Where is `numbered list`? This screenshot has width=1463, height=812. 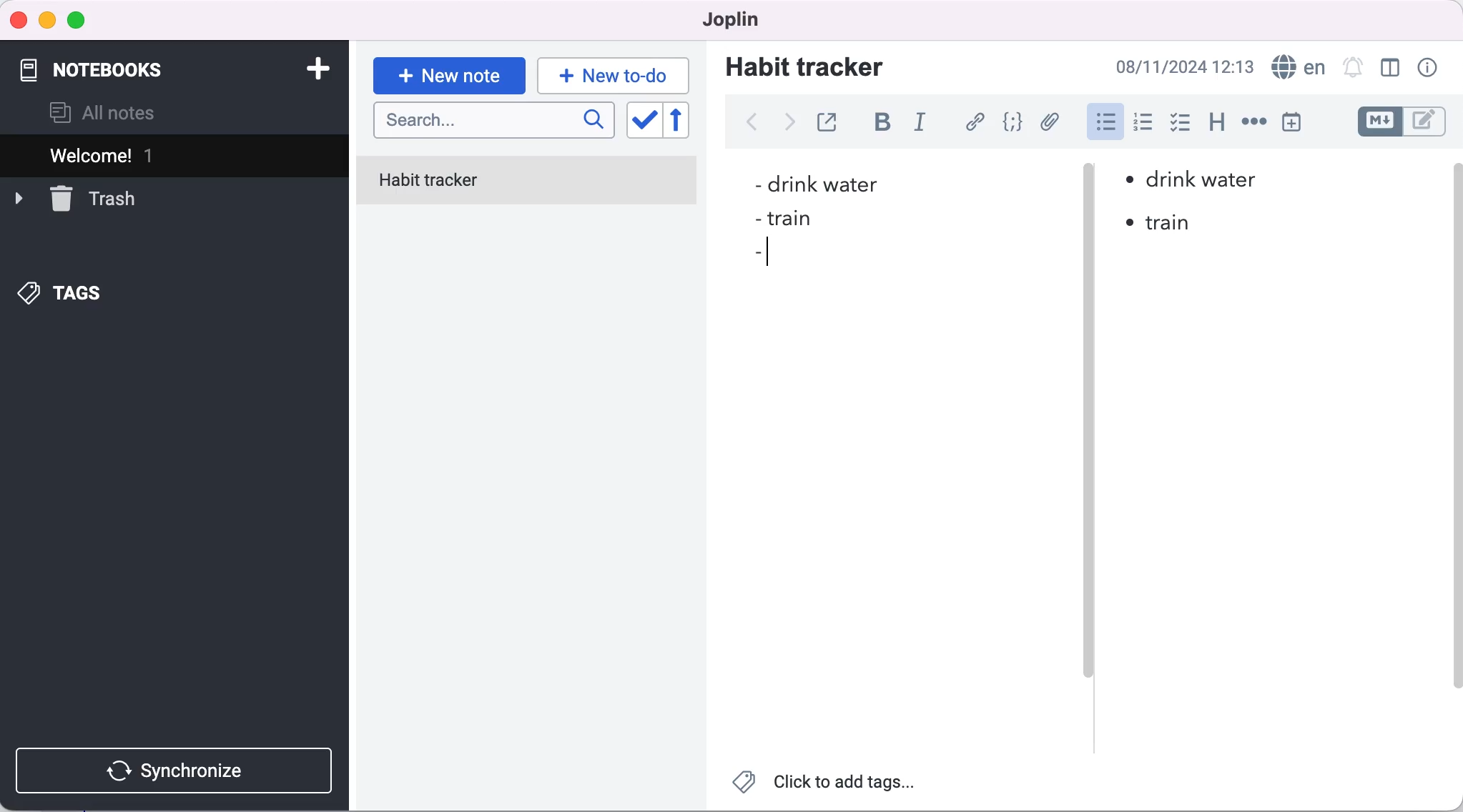
numbered list is located at coordinates (1147, 124).